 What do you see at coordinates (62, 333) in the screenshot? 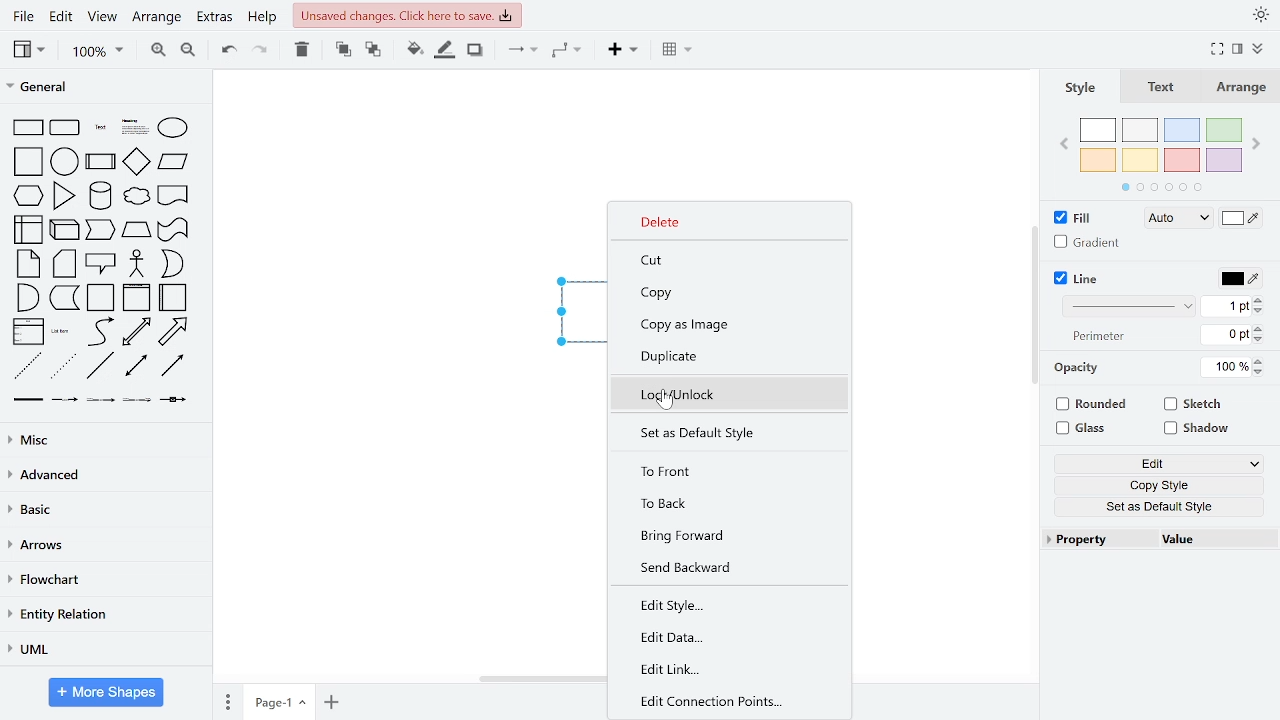
I see `list item` at bounding box center [62, 333].